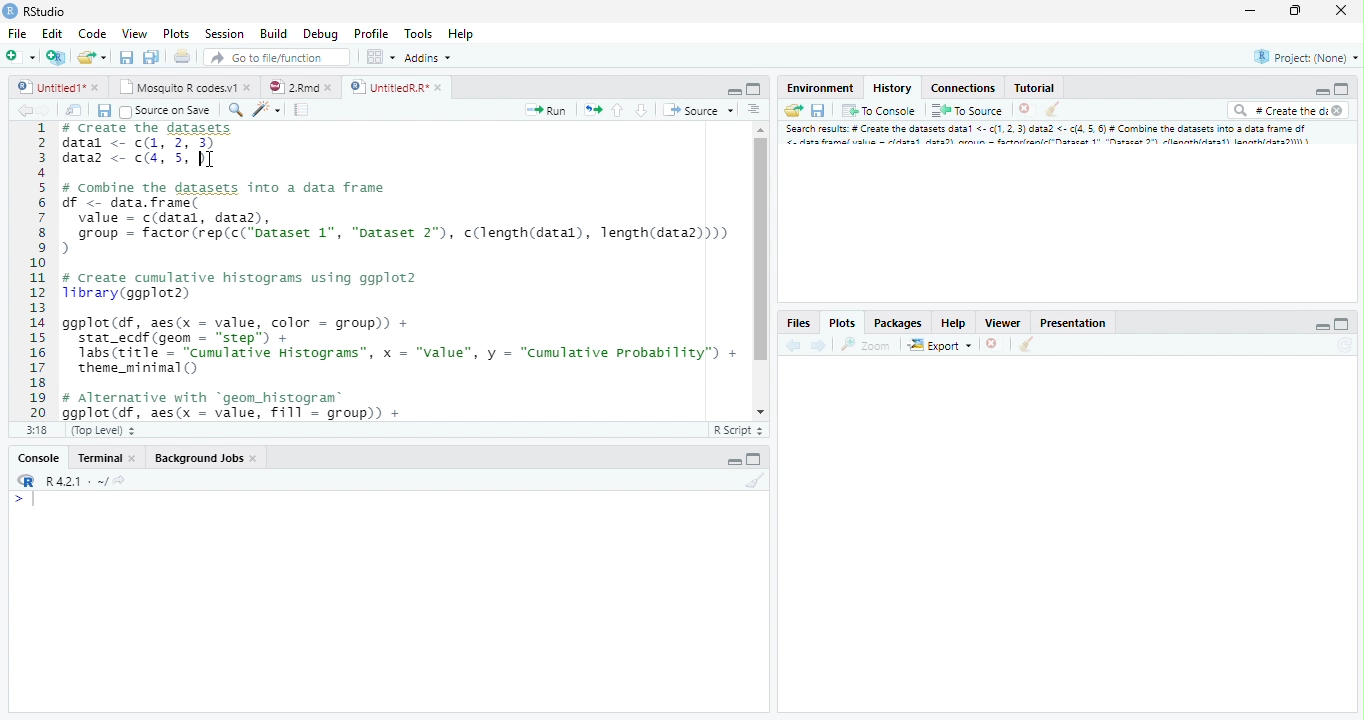 The height and width of the screenshot is (720, 1364). Describe the element at coordinates (30, 500) in the screenshot. I see `Input cursor` at that location.